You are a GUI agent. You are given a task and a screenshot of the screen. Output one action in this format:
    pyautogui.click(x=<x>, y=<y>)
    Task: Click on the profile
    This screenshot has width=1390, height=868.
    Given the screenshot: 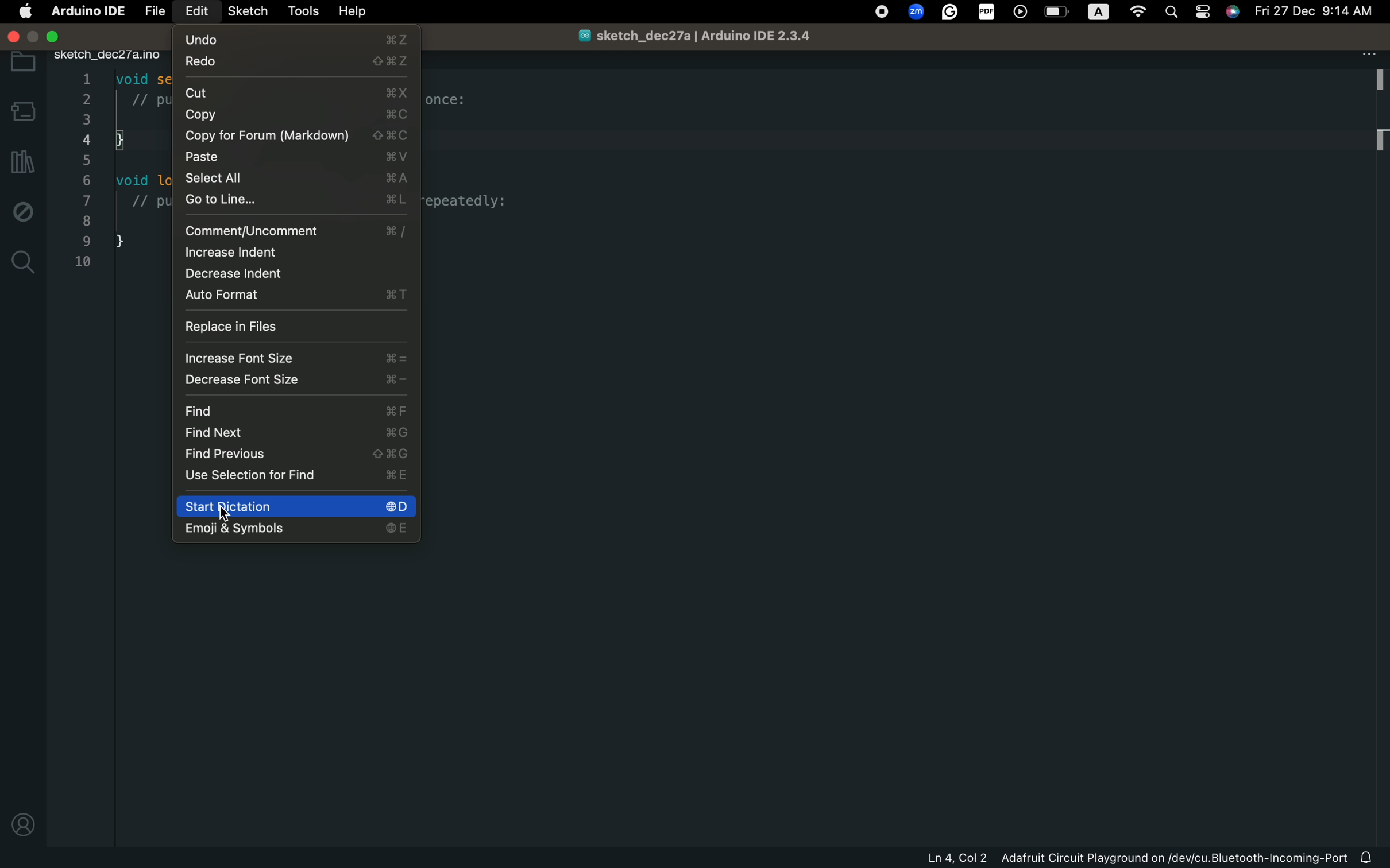 What is the action you would take?
    pyautogui.click(x=20, y=826)
    